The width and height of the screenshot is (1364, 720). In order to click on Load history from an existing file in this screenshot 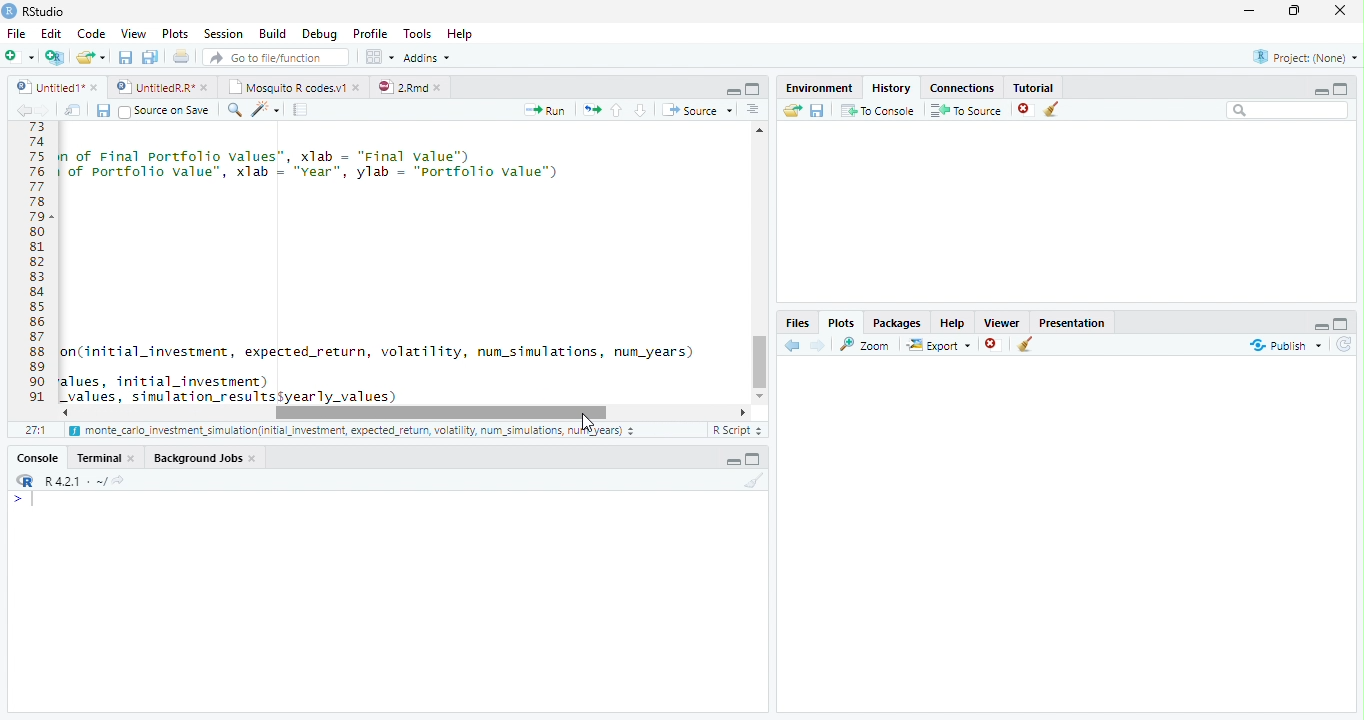, I will do `click(791, 111)`.